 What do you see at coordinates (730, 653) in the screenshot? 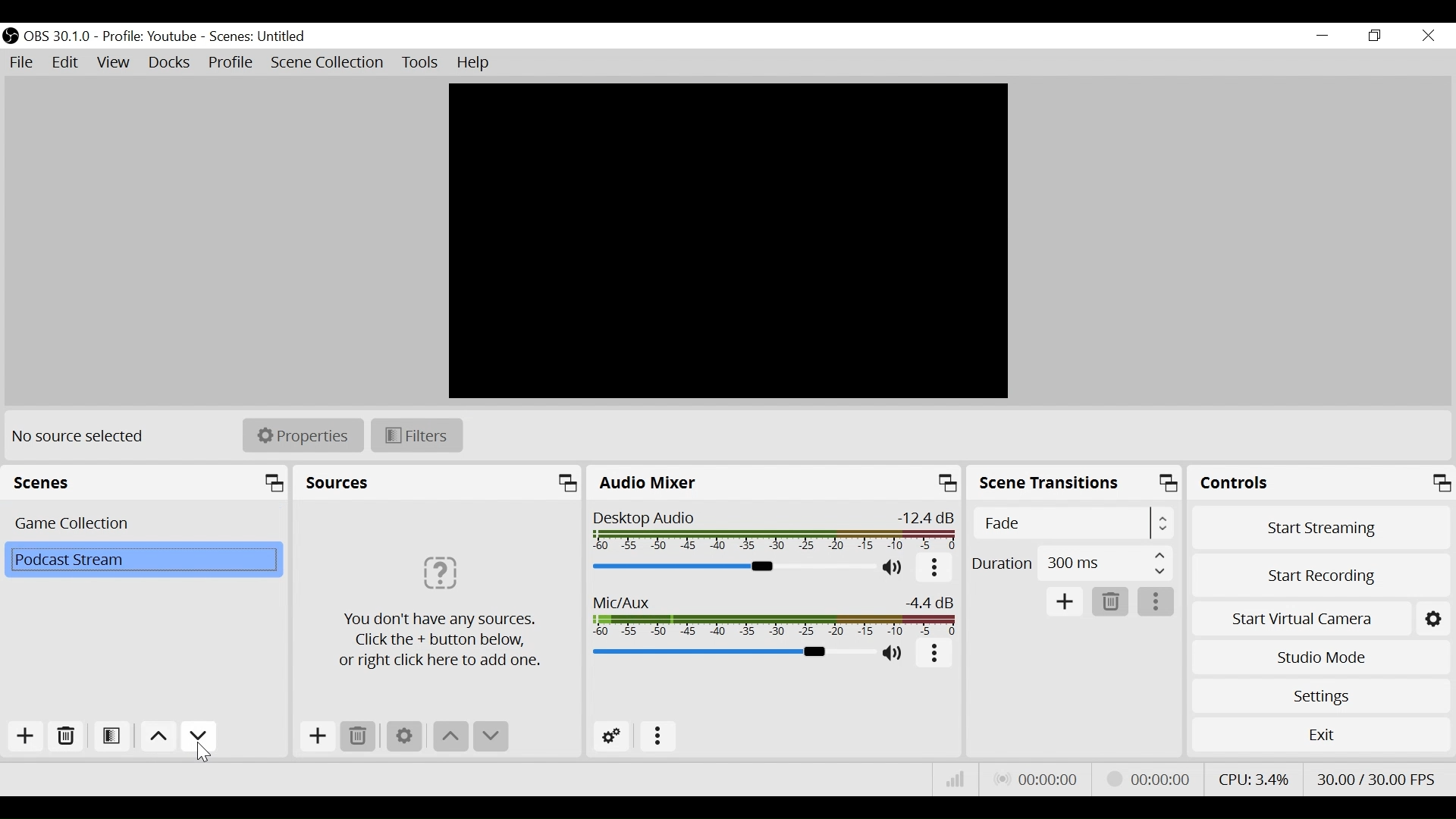
I see `Mic/Aux` at bounding box center [730, 653].